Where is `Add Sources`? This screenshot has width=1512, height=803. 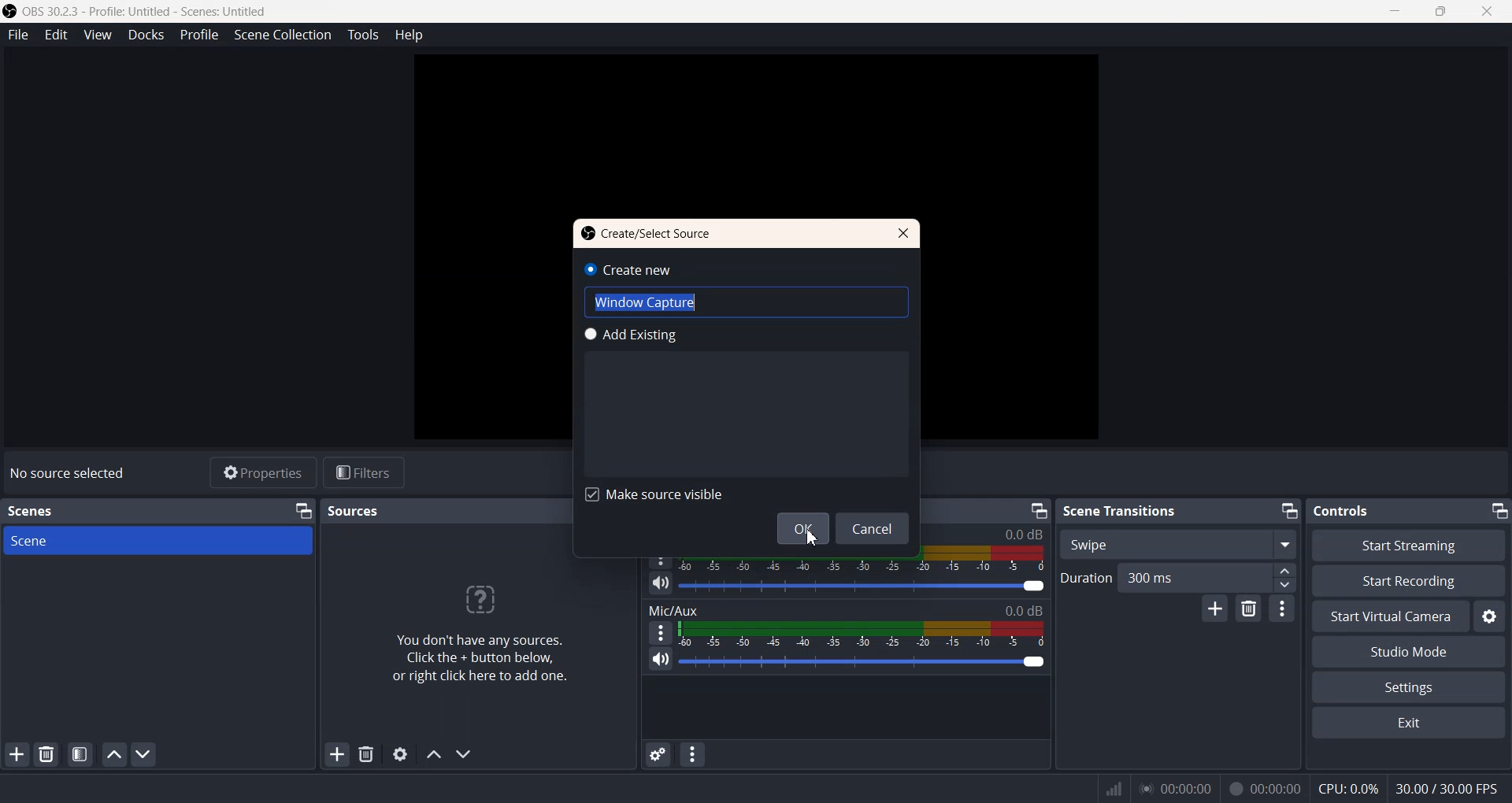
Add Sources is located at coordinates (338, 753).